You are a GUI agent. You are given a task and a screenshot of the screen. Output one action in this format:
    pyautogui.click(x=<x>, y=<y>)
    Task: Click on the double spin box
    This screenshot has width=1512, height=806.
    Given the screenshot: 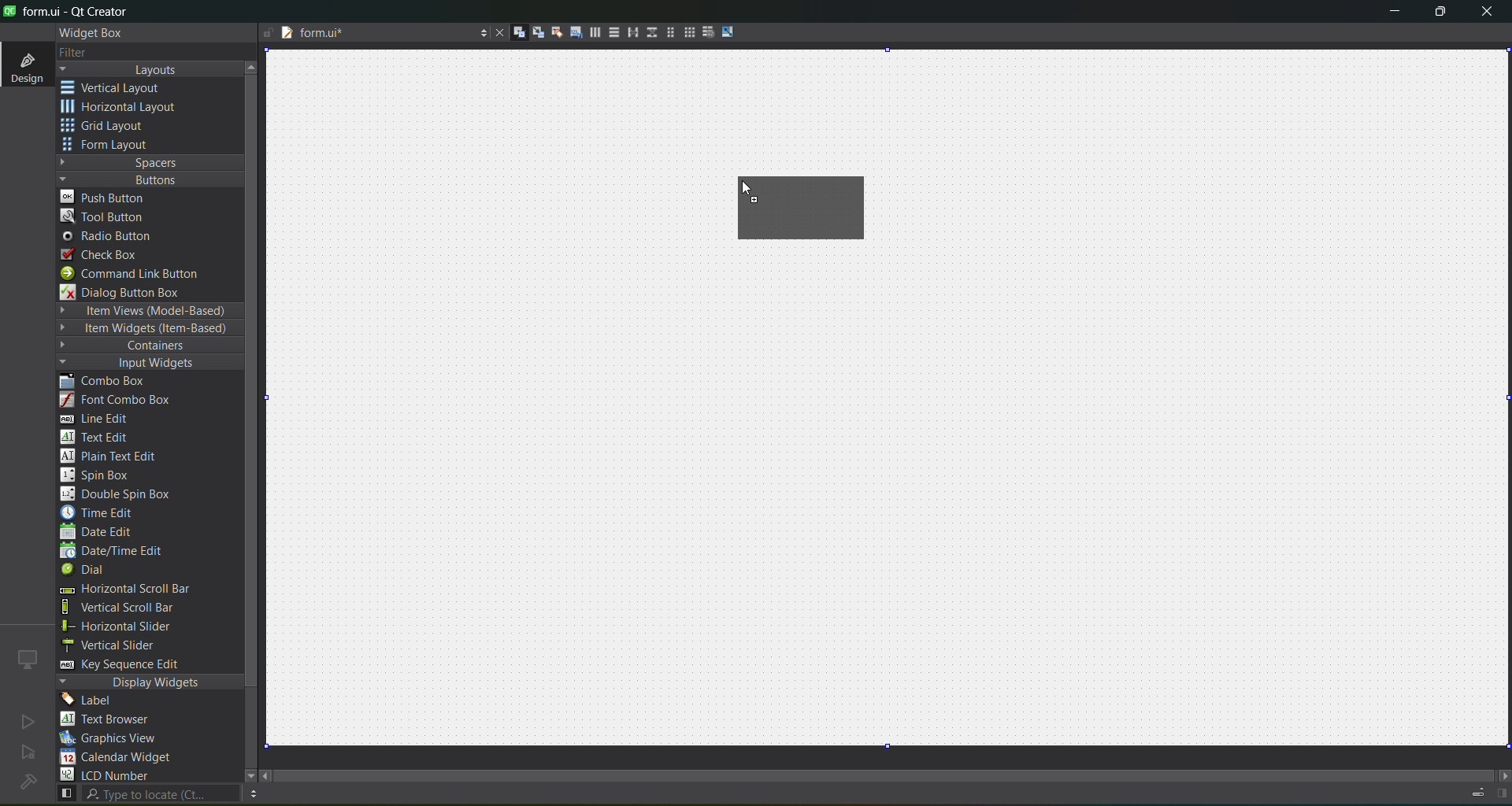 What is the action you would take?
    pyautogui.click(x=127, y=494)
    